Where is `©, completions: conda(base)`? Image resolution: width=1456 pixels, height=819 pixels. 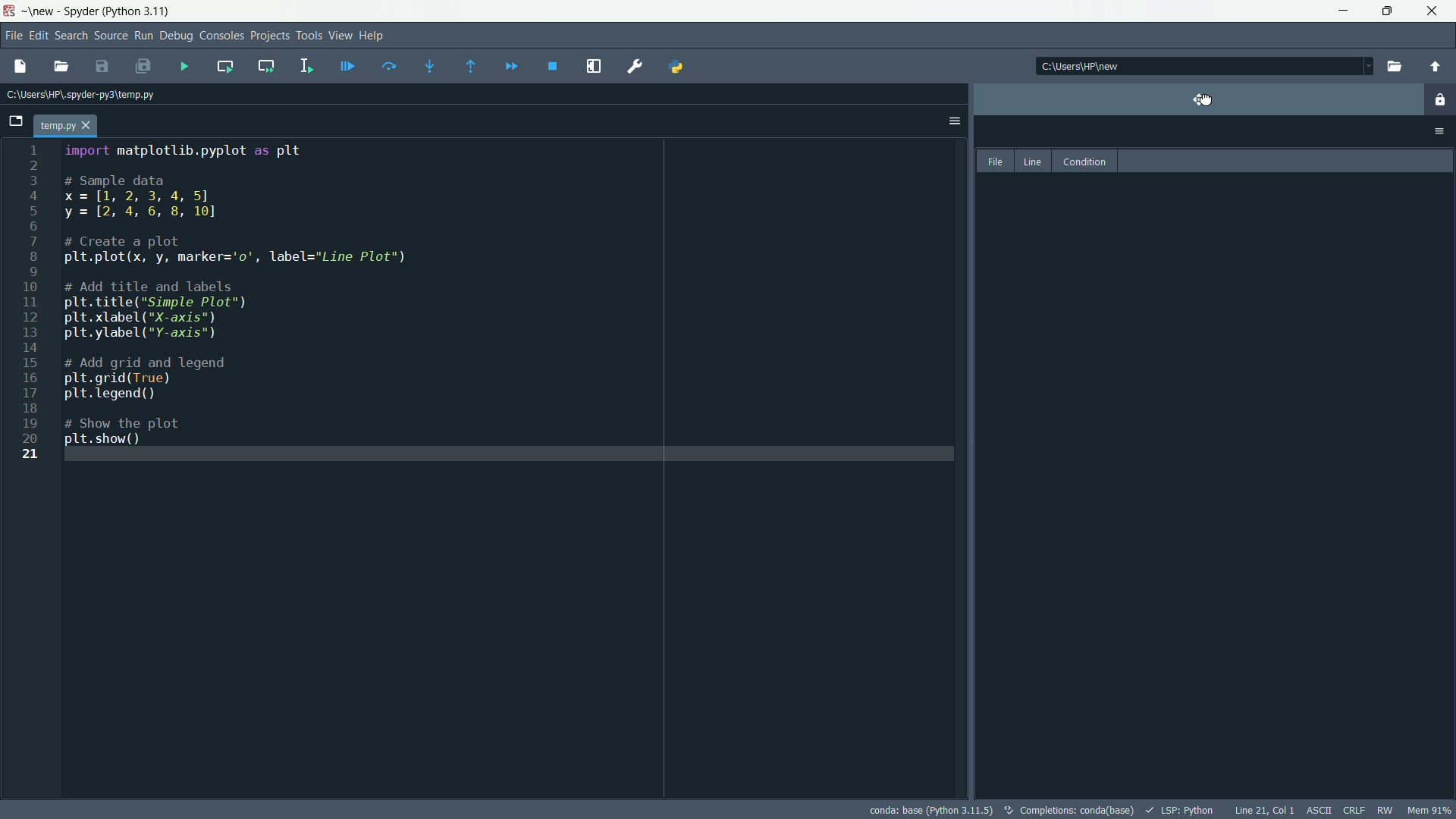
©, completions: conda(base) is located at coordinates (1068, 808).